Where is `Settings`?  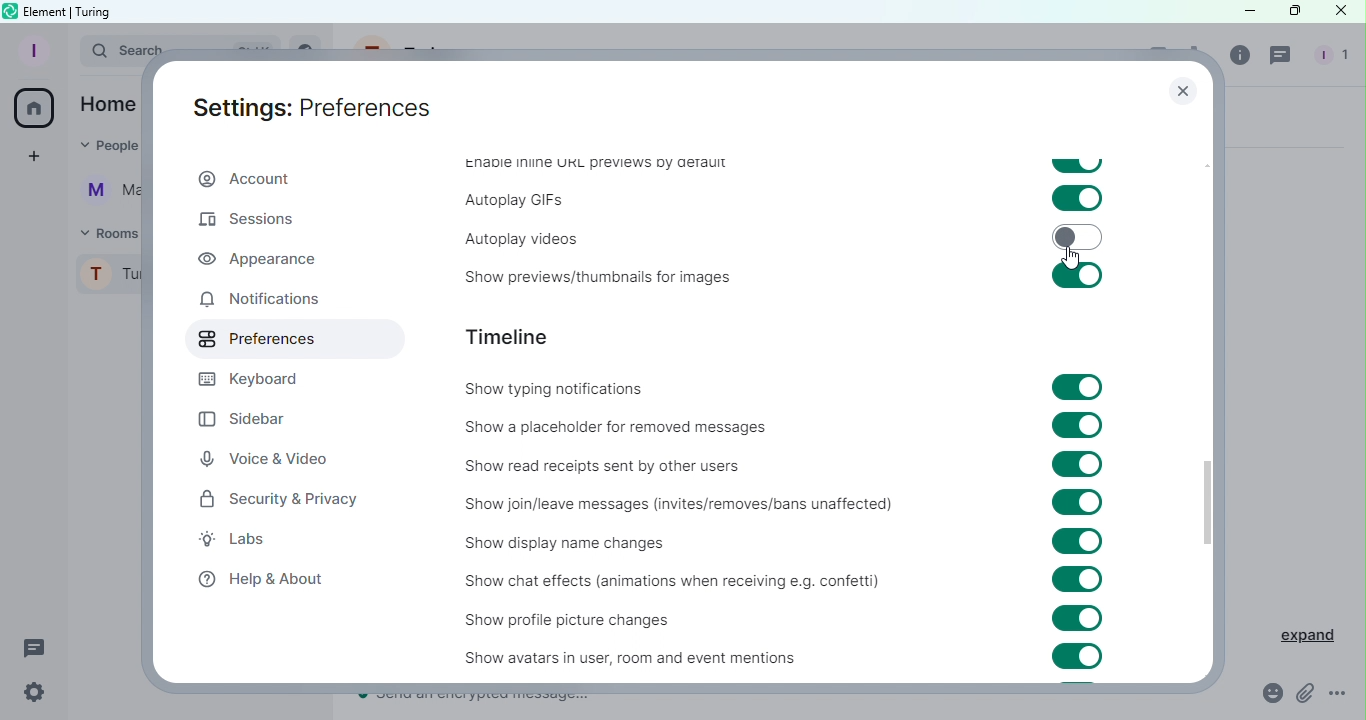 Settings is located at coordinates (34, 693).